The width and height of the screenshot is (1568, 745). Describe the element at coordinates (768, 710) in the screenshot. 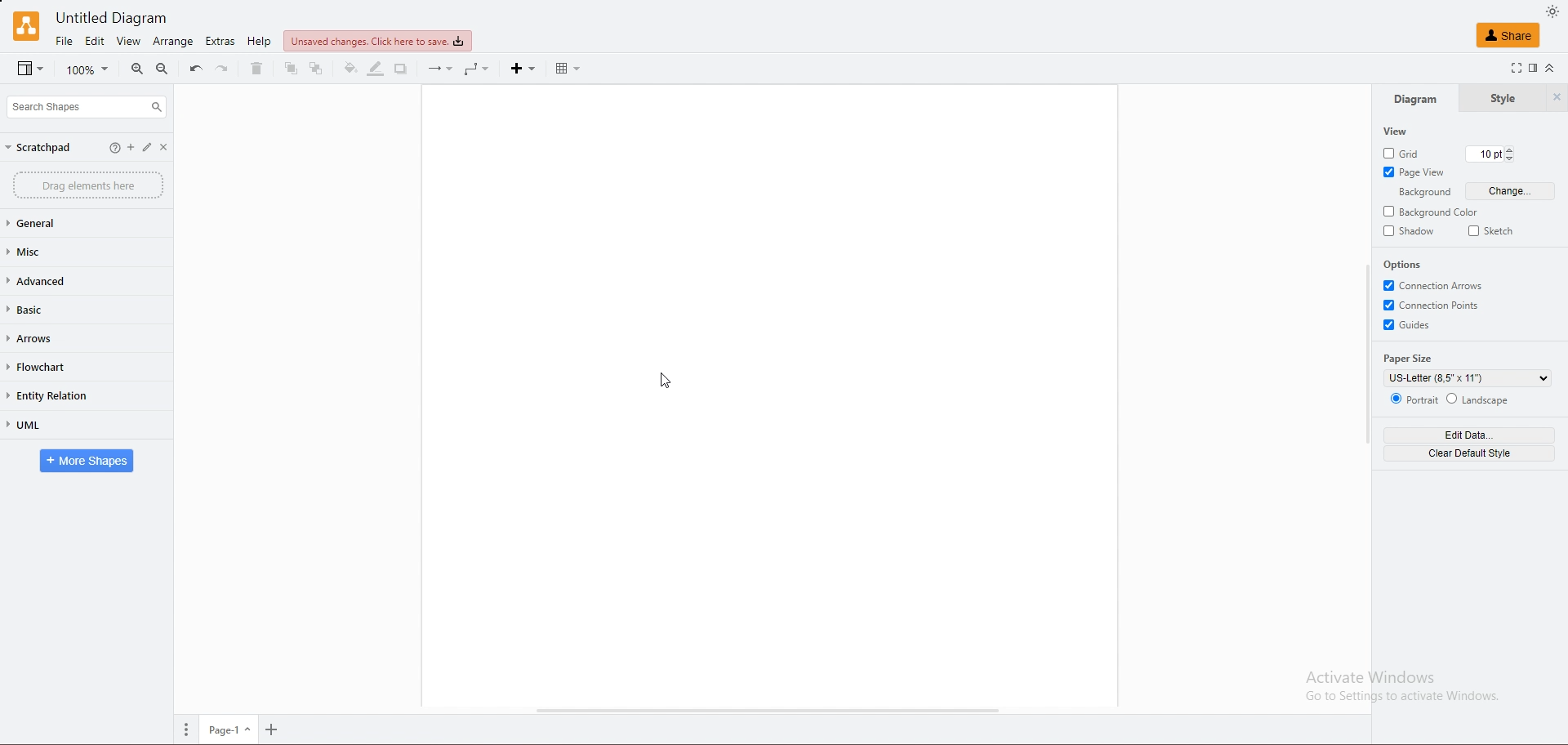

I see `scroll bar horizontal` at that location.